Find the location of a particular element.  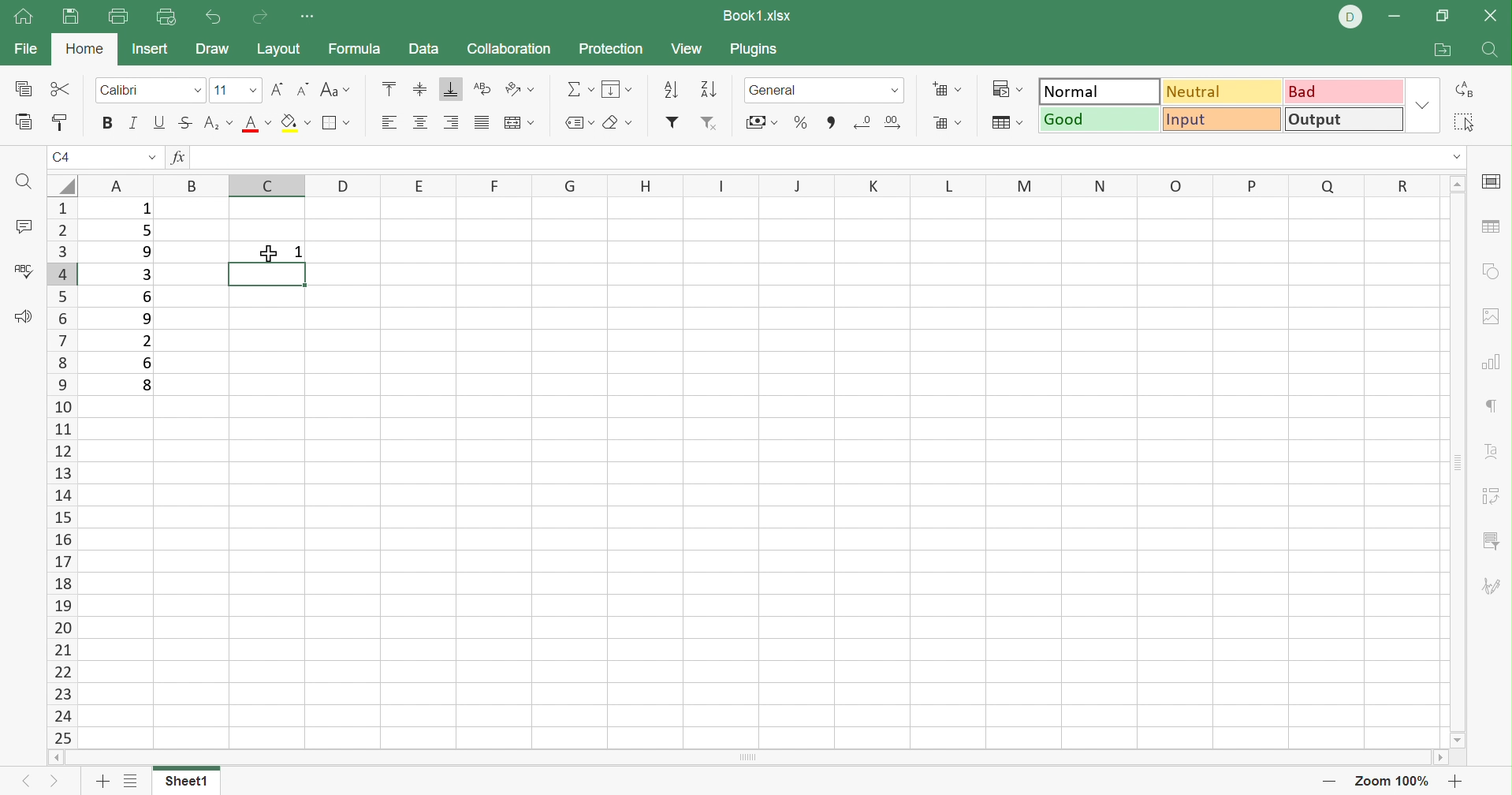

Find is located at coordinates (1492, 52).